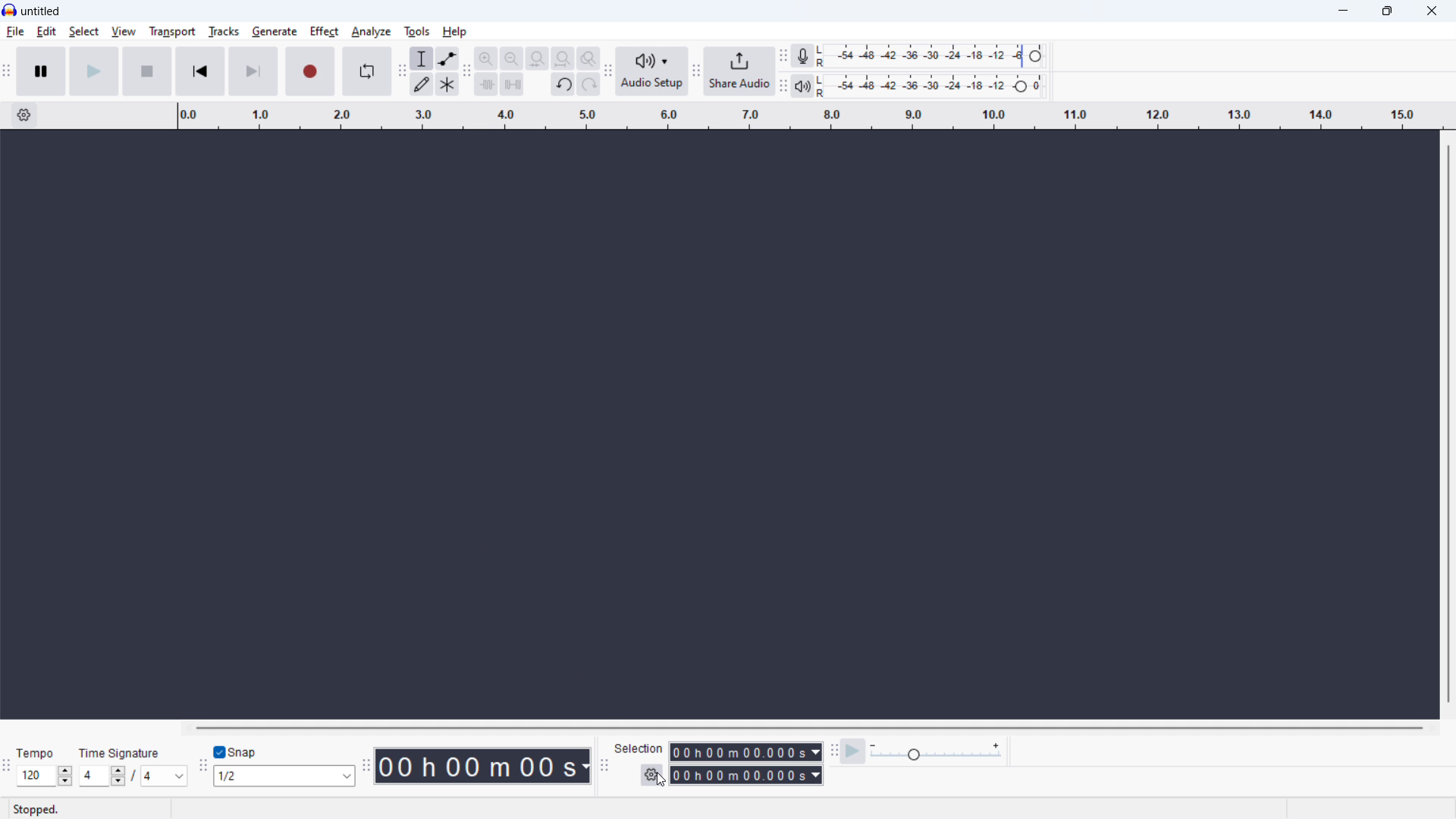 Image resolution: width=1456 pixels, height=819 pixels. What do you see at coordinates (36, 809) in the screenshot?
I see `stopped.` at bounding box center [36, 809].